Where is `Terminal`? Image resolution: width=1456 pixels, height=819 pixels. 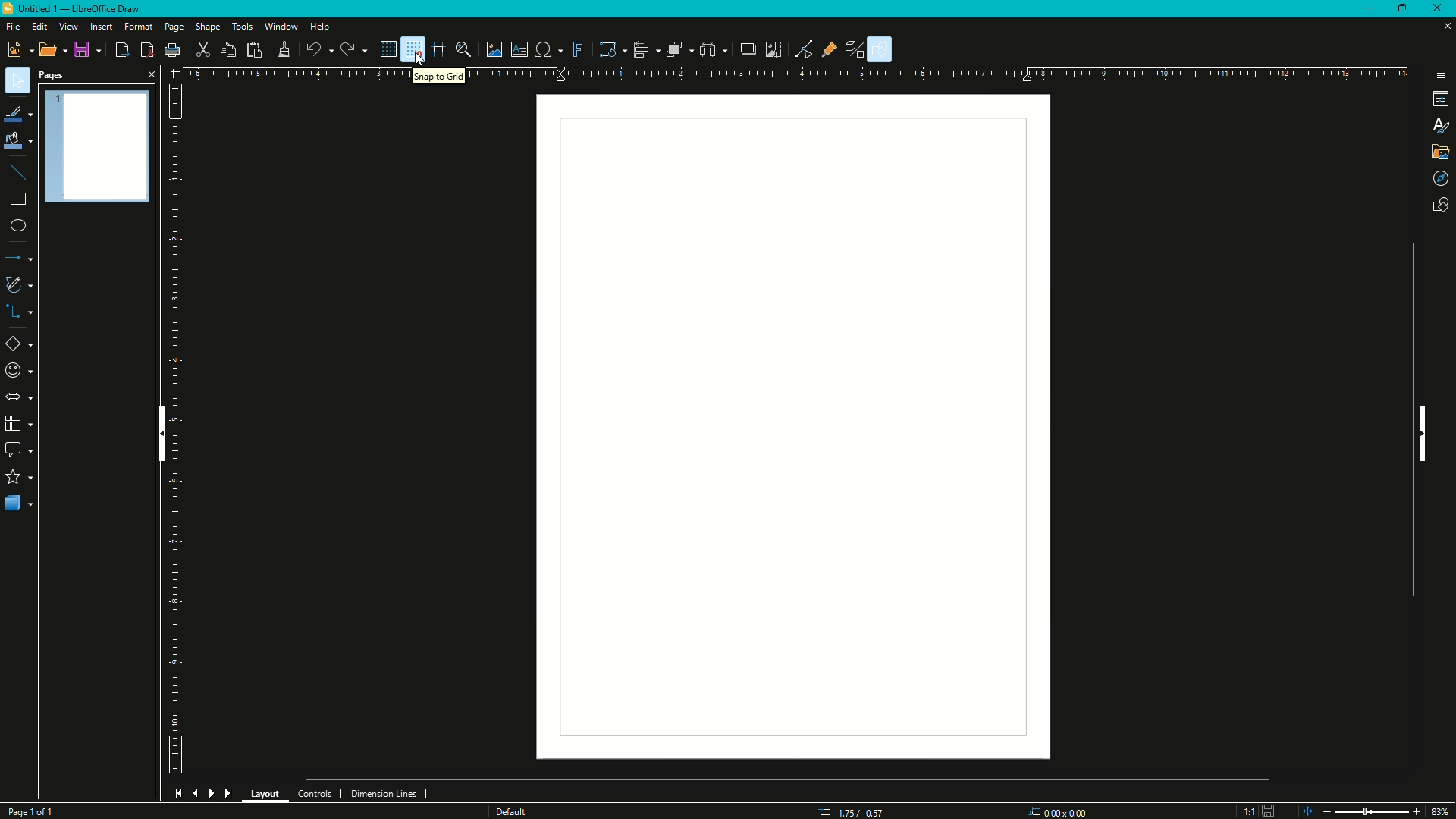
Terminal is located at coordinates (1436, 98).